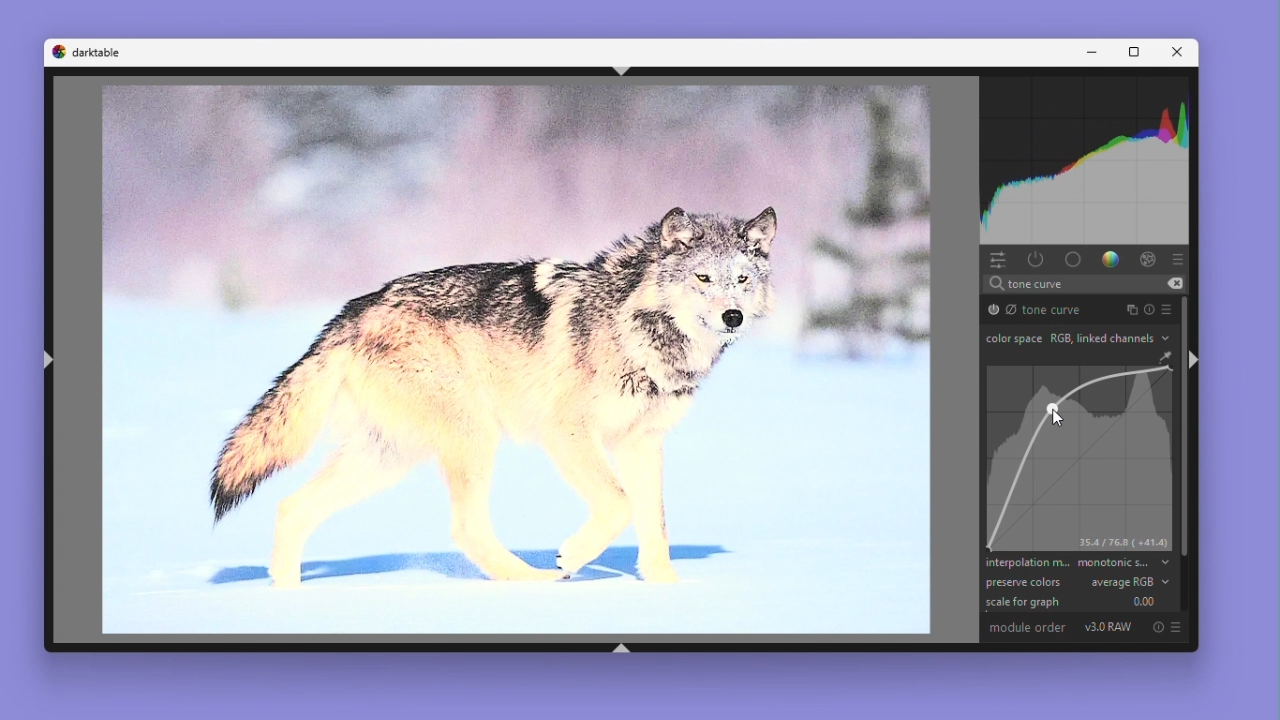  I want to click on base, so click(1073, 259).